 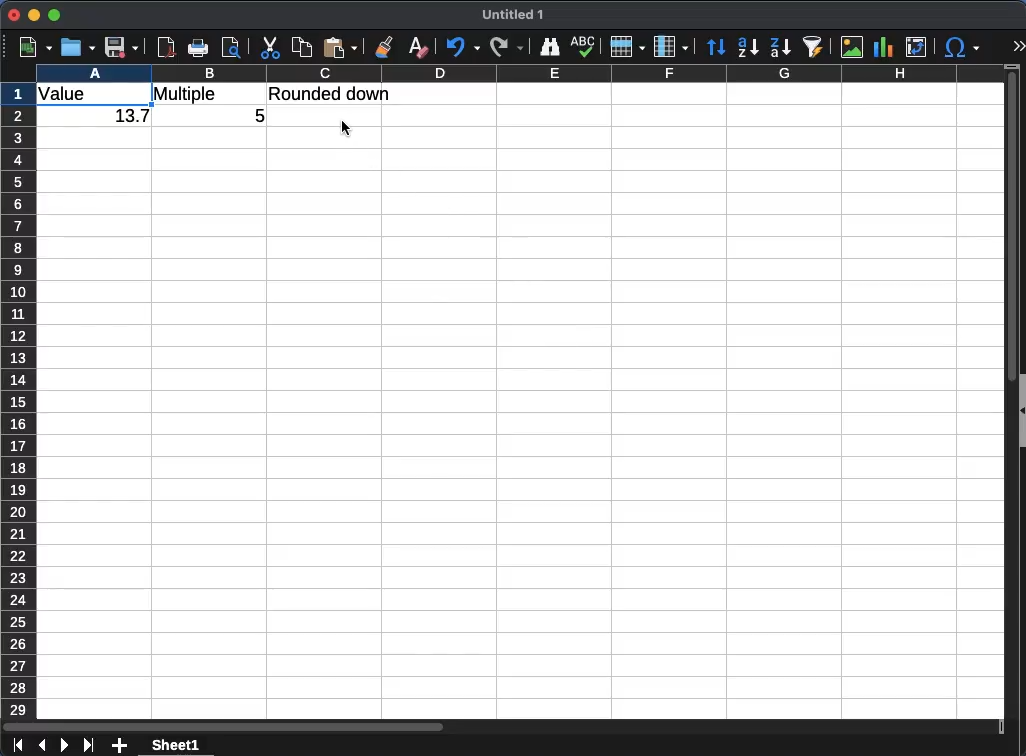 What do you see at coordinates (883, 47) in the screenshot?
I see `chart` at bounding box center [883, 47].